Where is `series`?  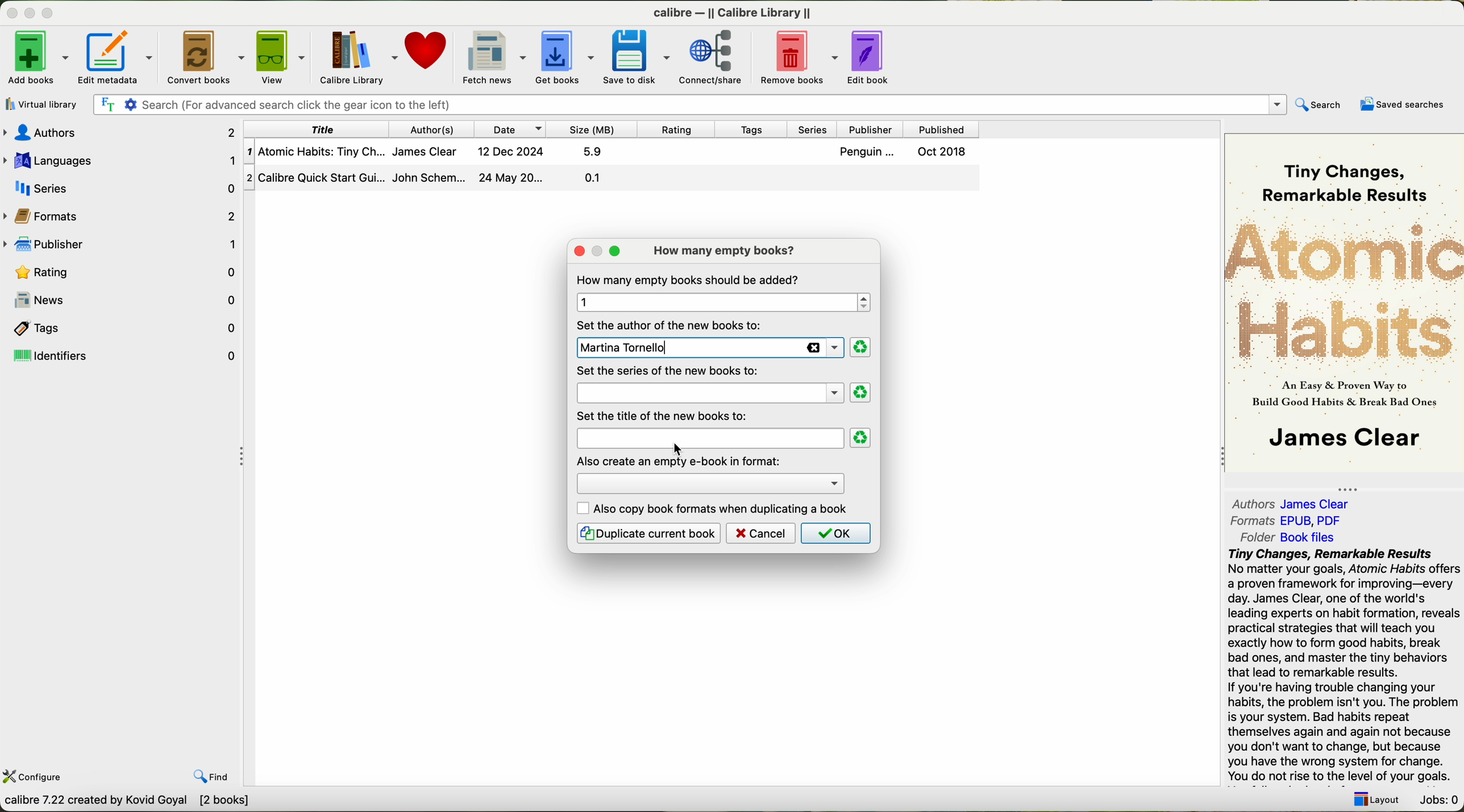 series is located at coordinates (119, 188).